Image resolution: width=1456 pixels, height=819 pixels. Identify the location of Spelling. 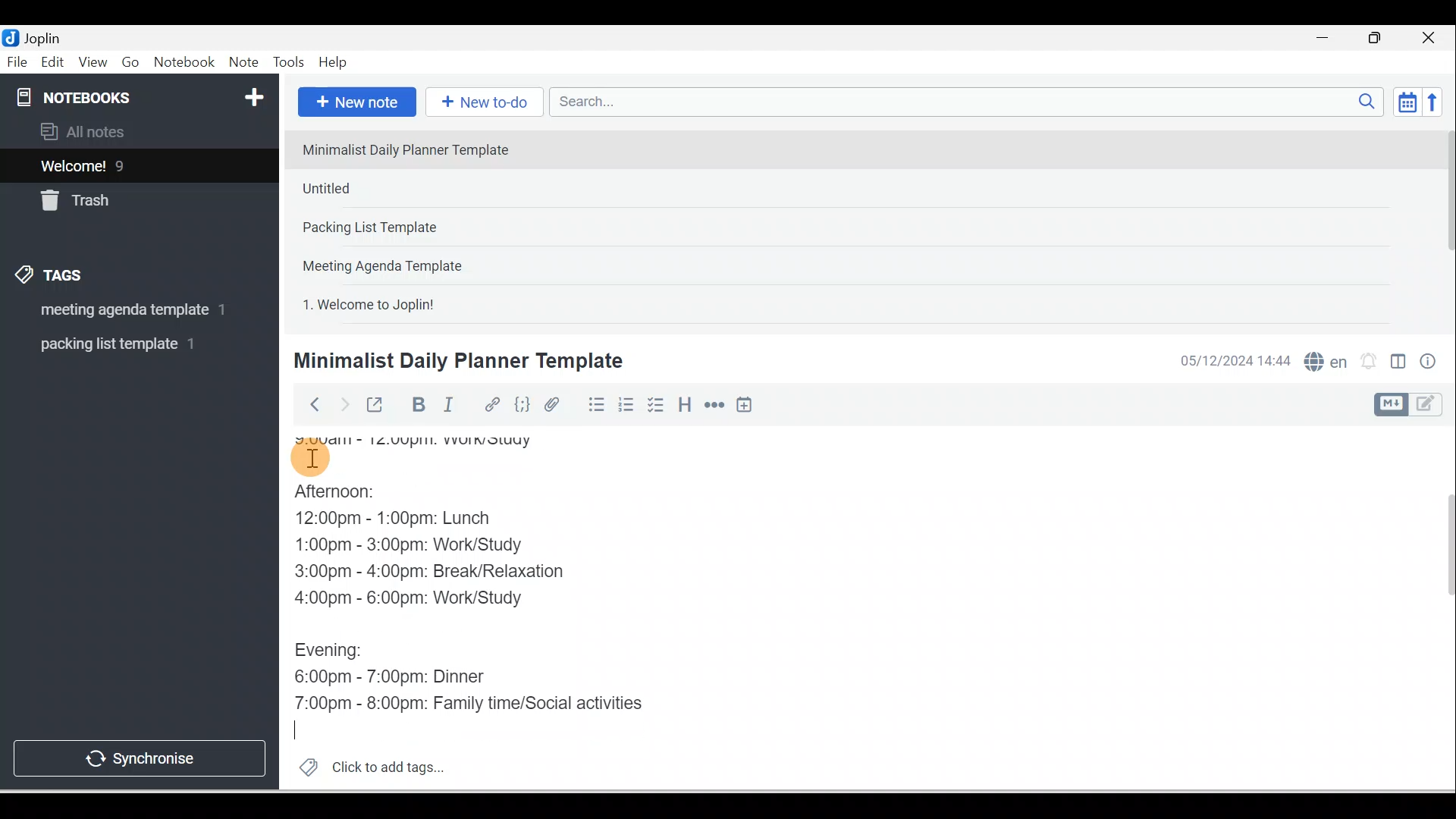
(1323, 359).